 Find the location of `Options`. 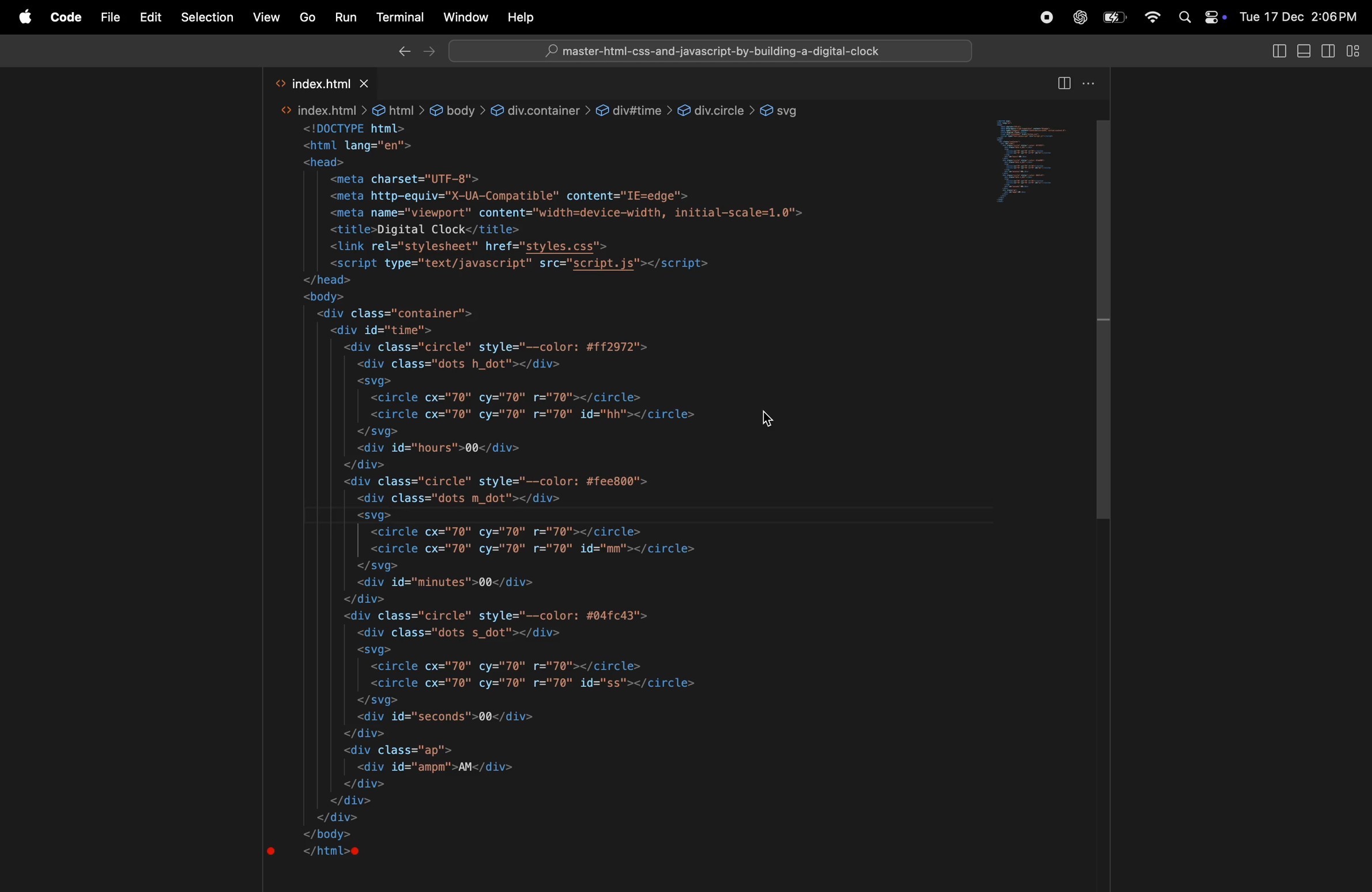

Options is located at coordinates (1095, 85).